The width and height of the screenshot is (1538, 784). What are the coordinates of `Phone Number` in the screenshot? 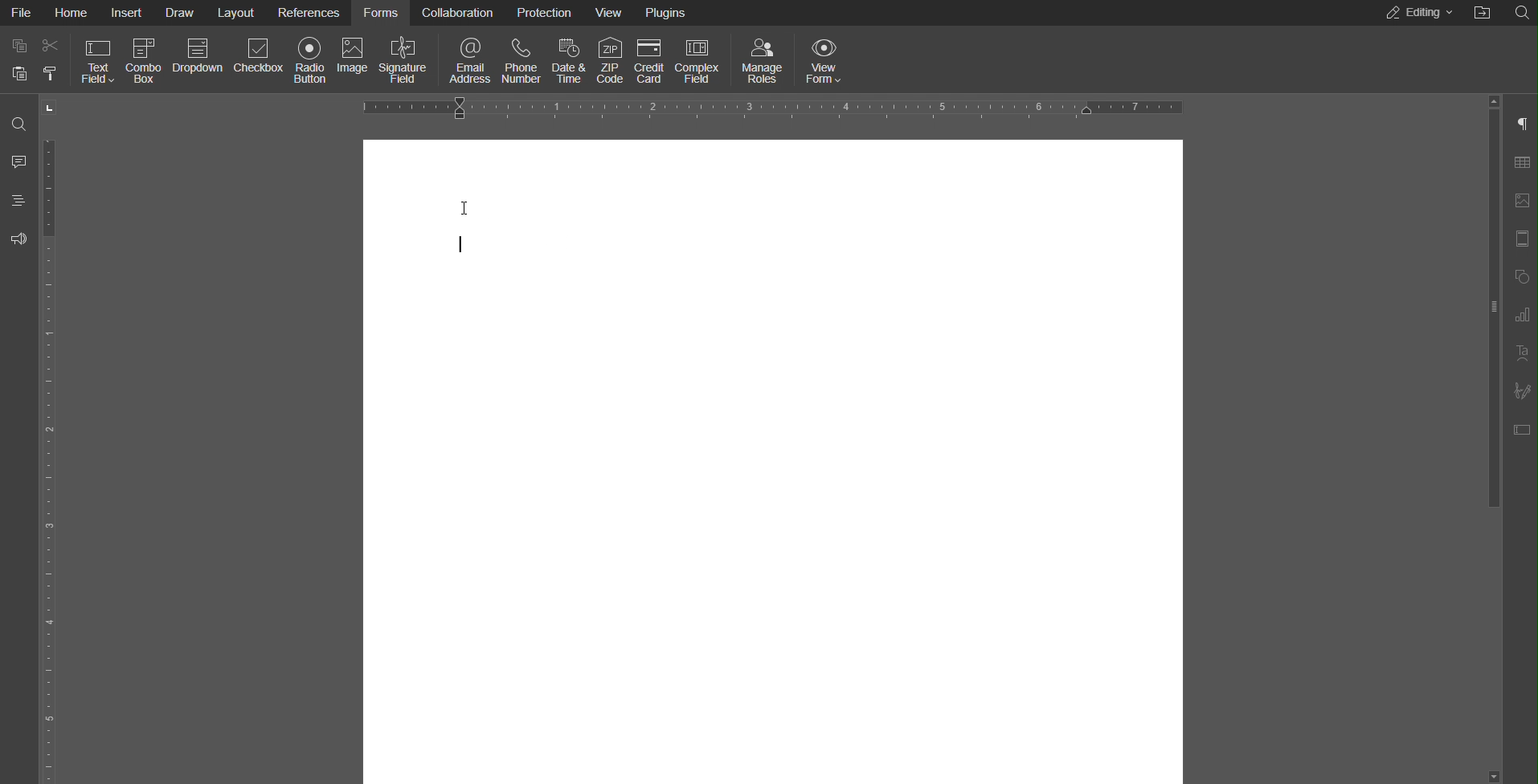 It's located at (521, 58).